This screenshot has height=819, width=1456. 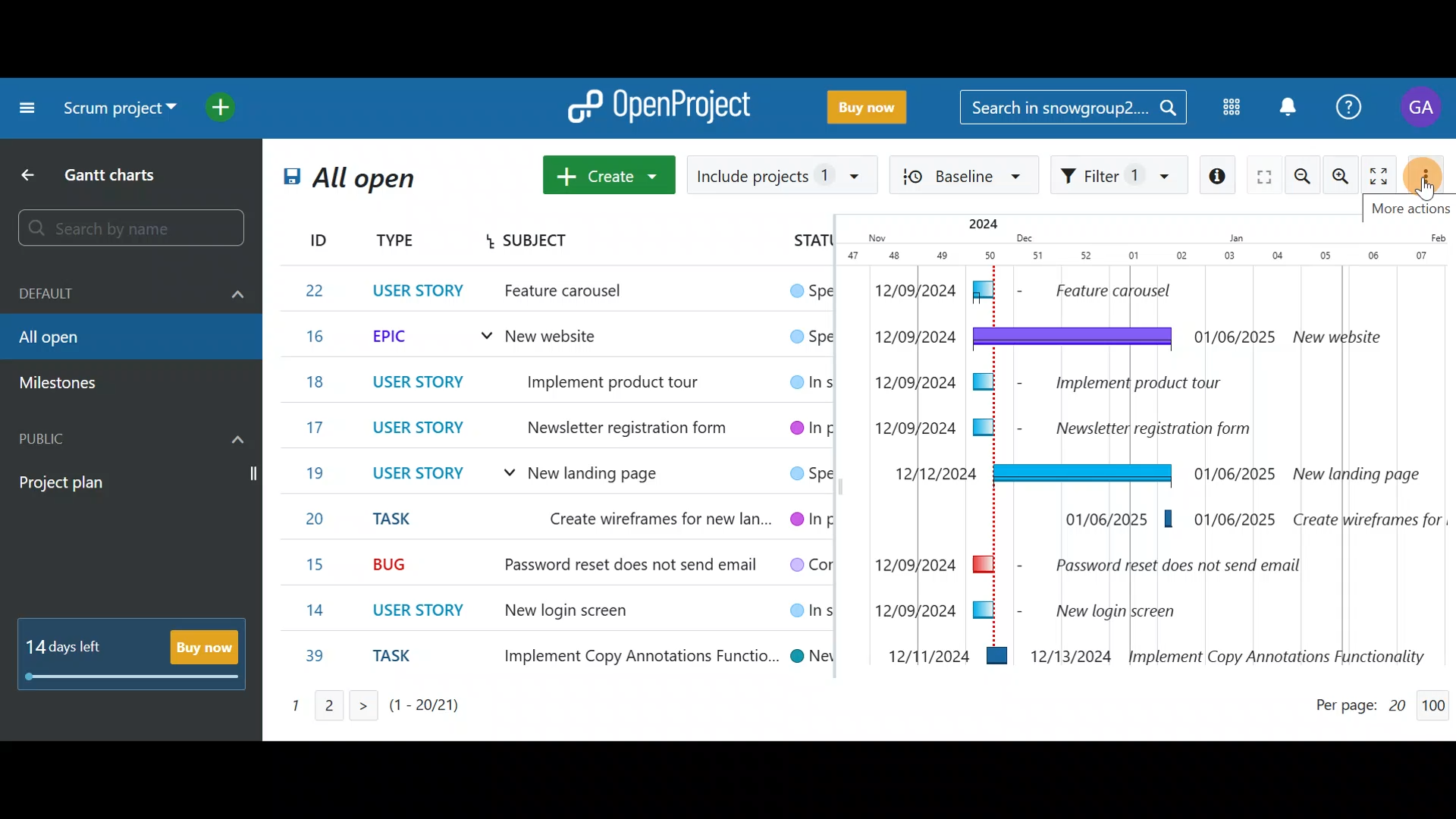 I want to click on BUG, so click(x=394, y=562).